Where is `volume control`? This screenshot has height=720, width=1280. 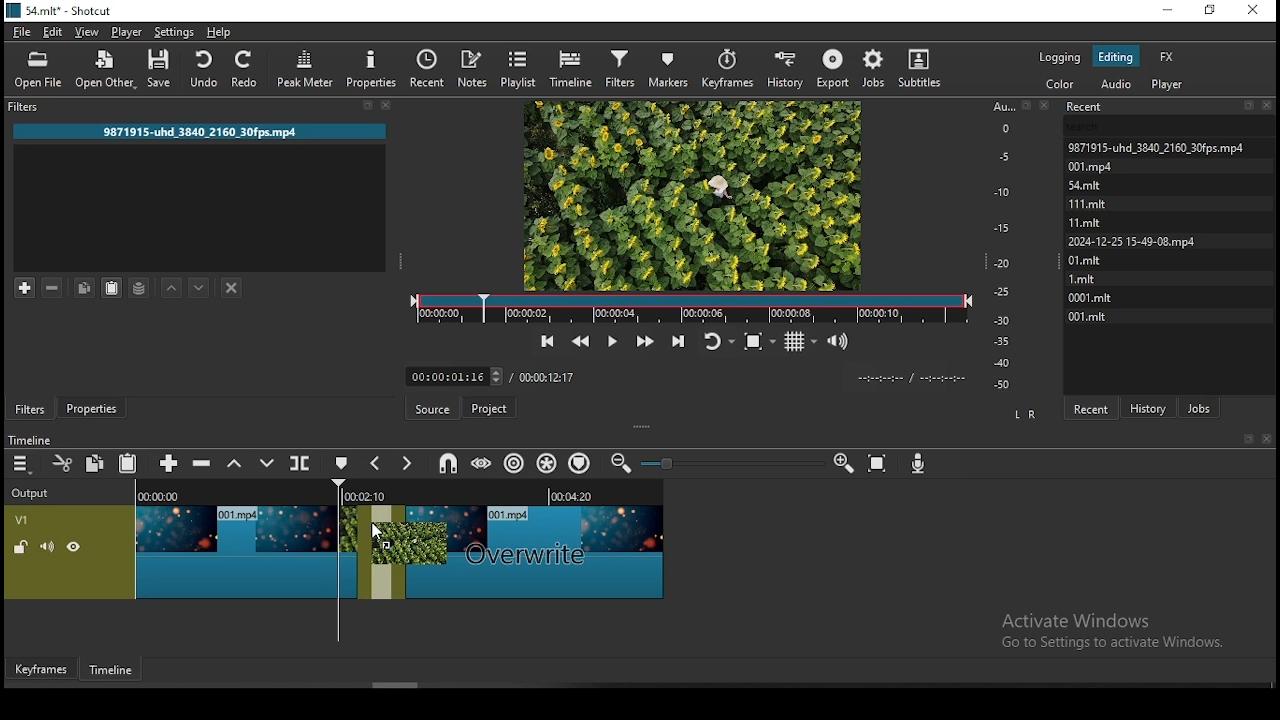 volume control is located at coordinates (840, 342).